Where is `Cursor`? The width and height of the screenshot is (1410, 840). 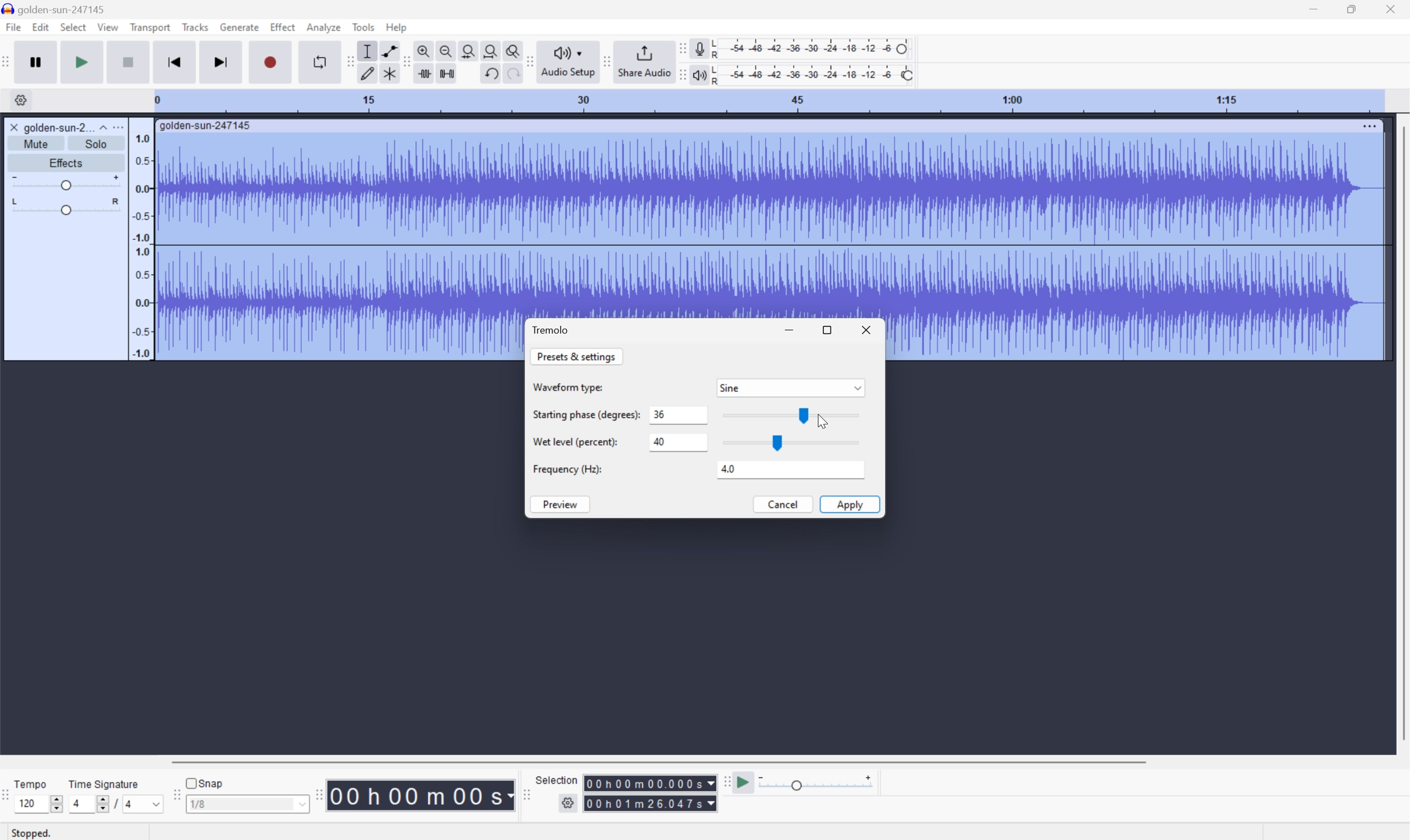
Cursor is located at coordinates (822, 422).